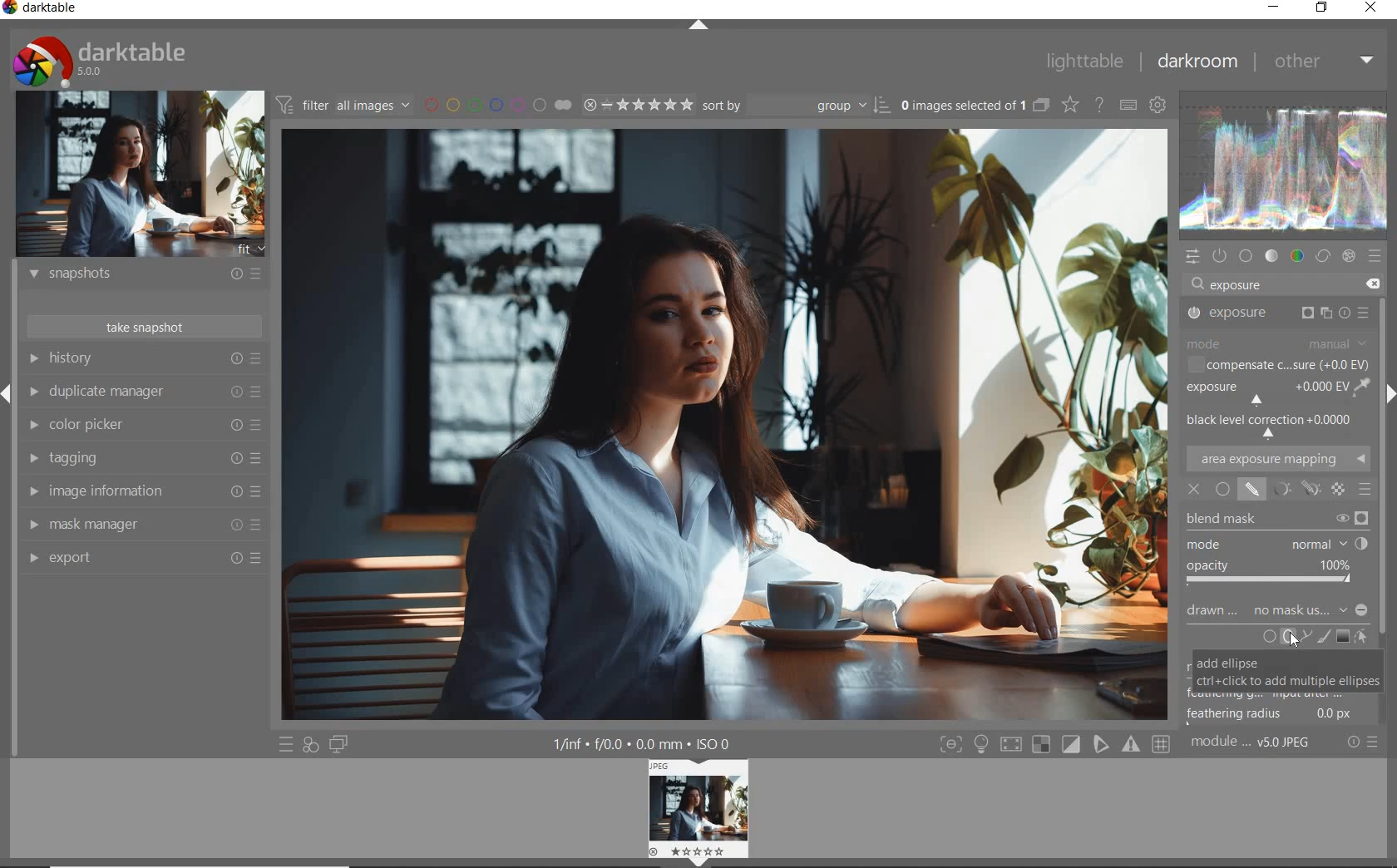  What do you see at coordinates (1278, 638) in the screenshot?
I see `ADD CIRCLE OR ELLIPSE` at bounding box center [1278, 638].